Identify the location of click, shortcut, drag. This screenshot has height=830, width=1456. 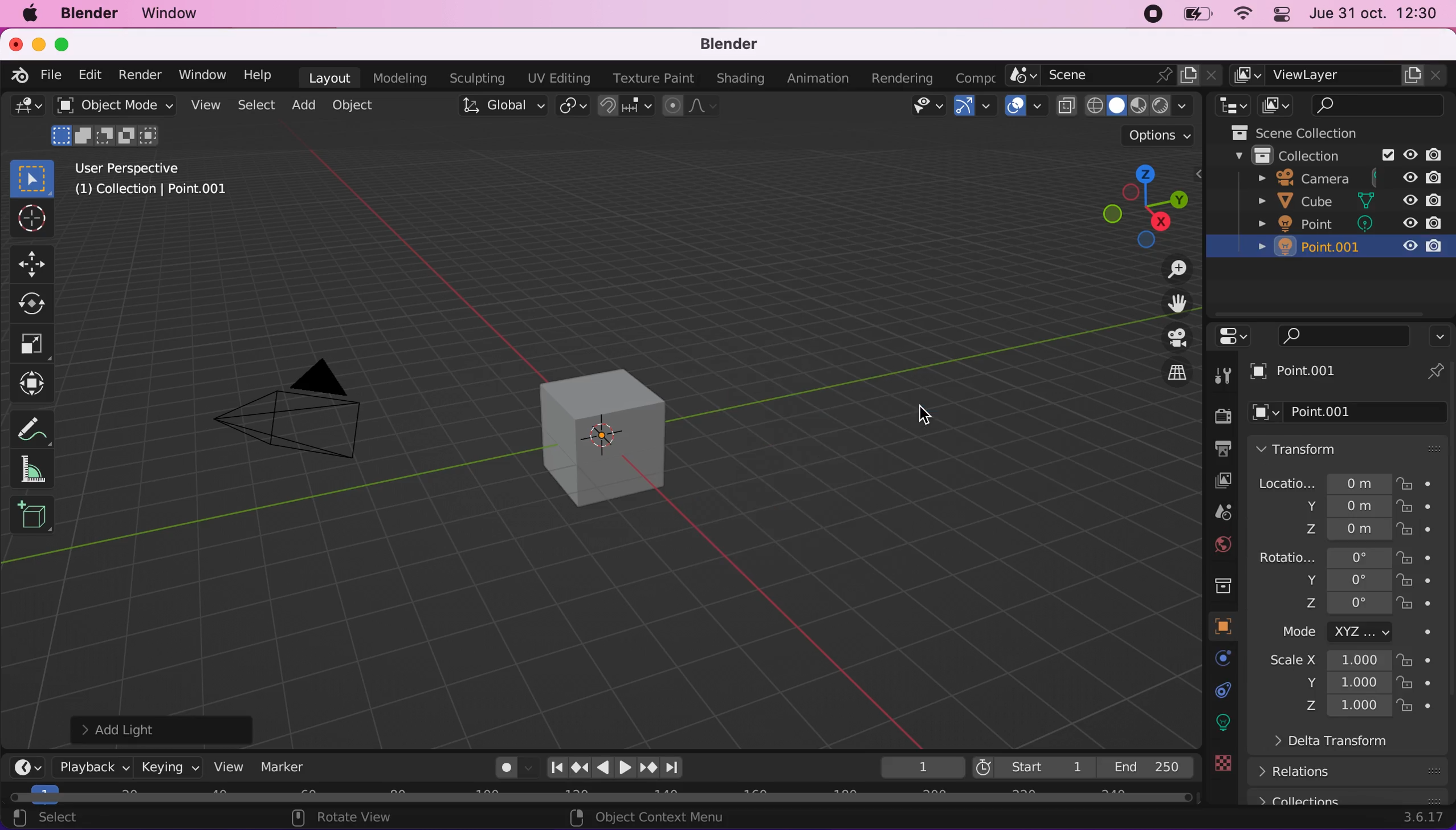
(1145, 205).